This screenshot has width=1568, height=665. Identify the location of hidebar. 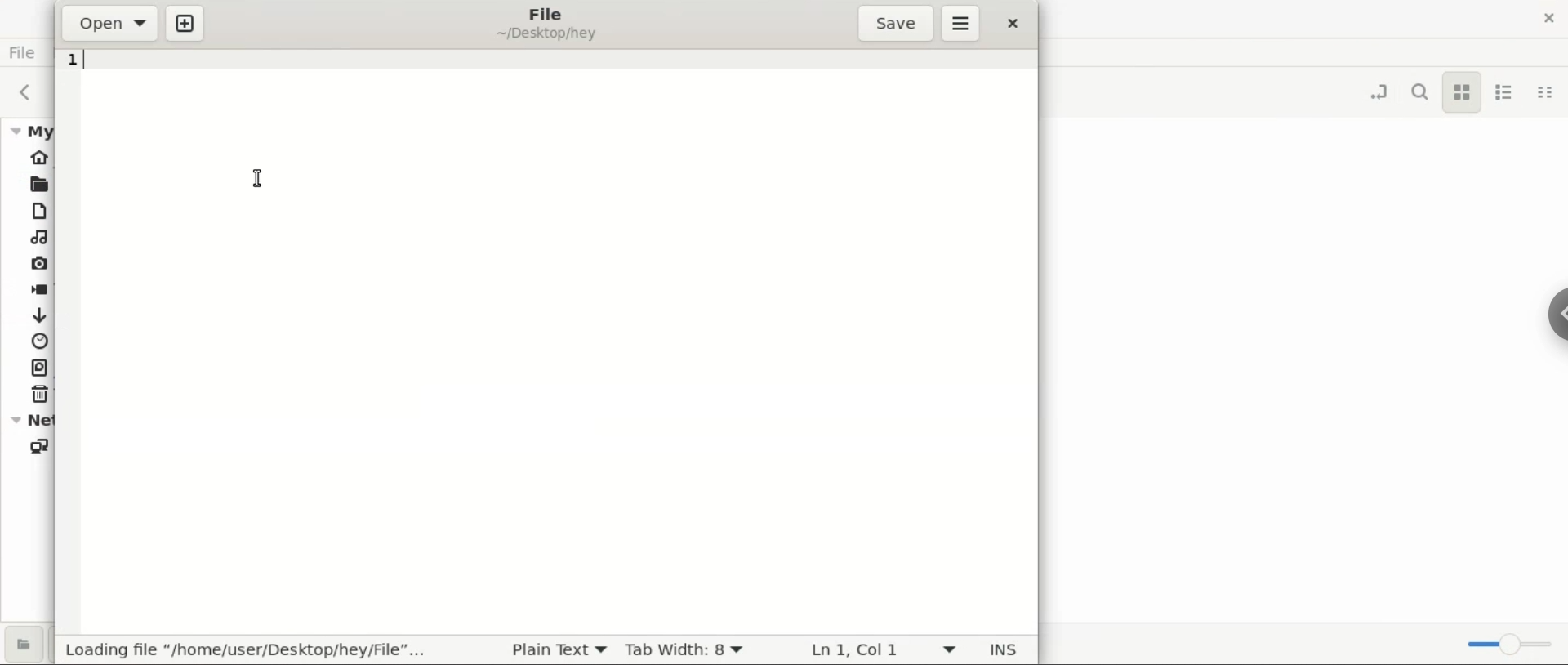
(1549, 312).